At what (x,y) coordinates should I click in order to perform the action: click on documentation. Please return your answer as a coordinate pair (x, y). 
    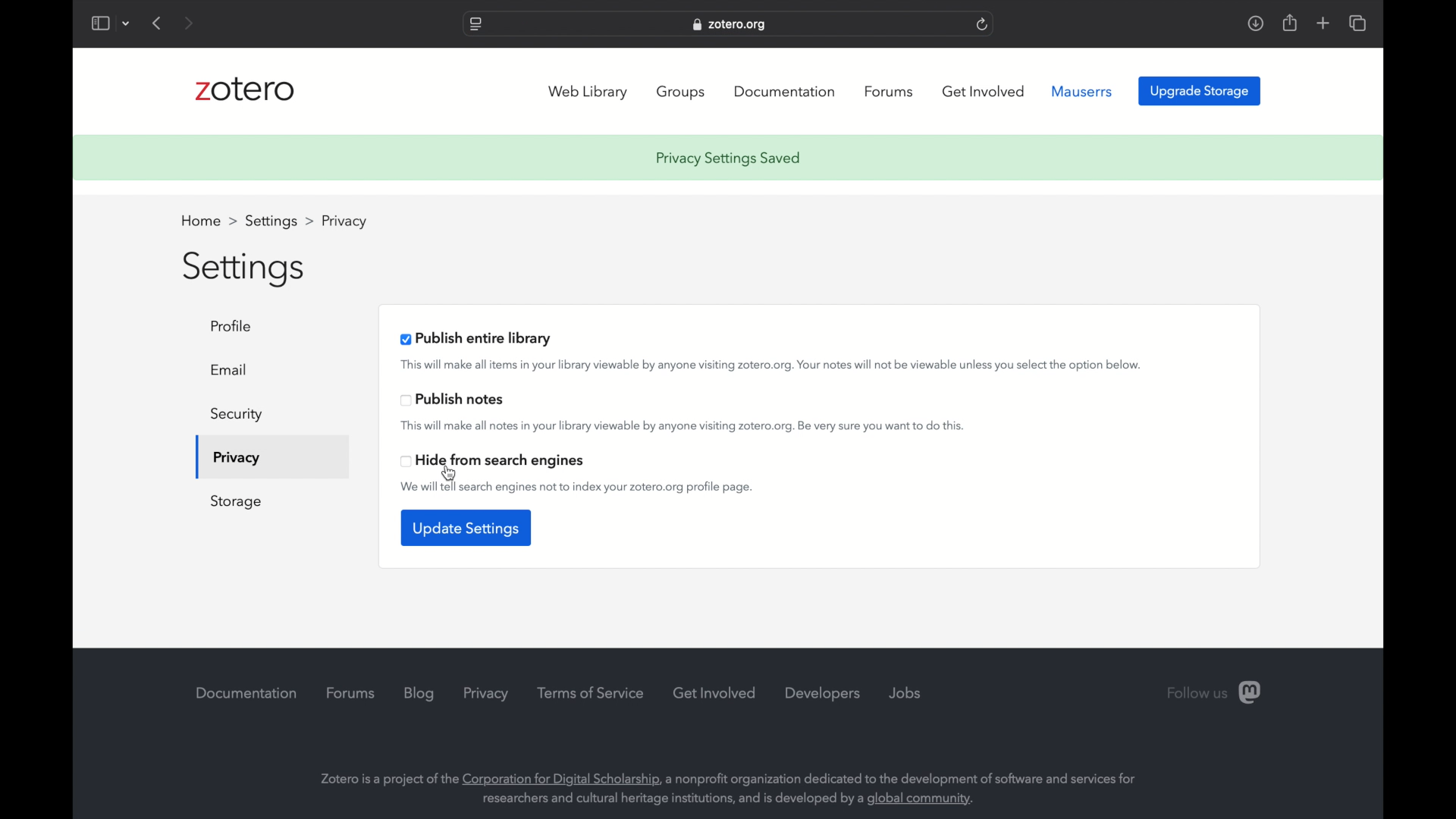
    Looking at the image, I should click on (249, 693).